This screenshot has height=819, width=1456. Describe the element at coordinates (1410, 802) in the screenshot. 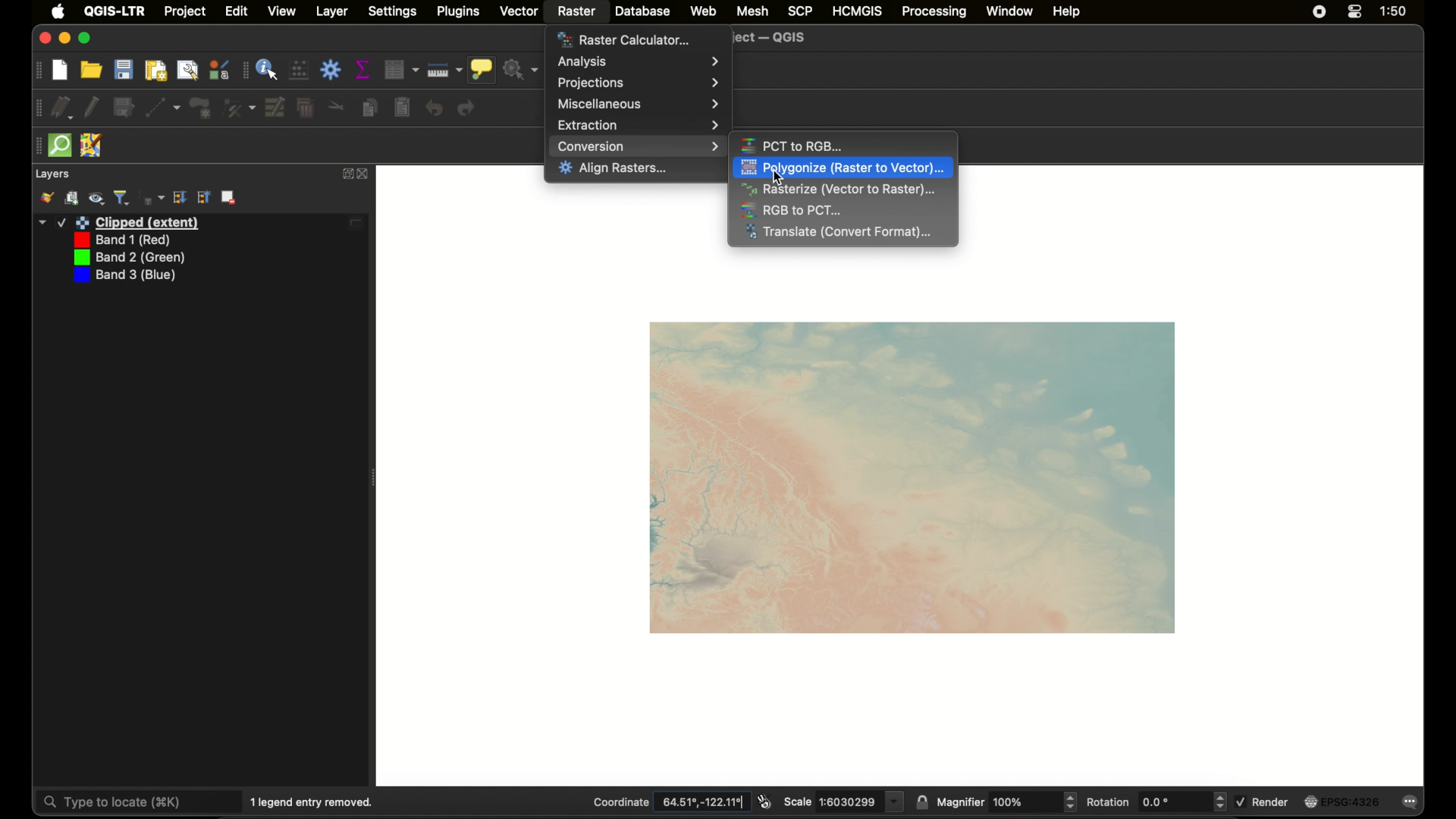

I see `messages` at that location.